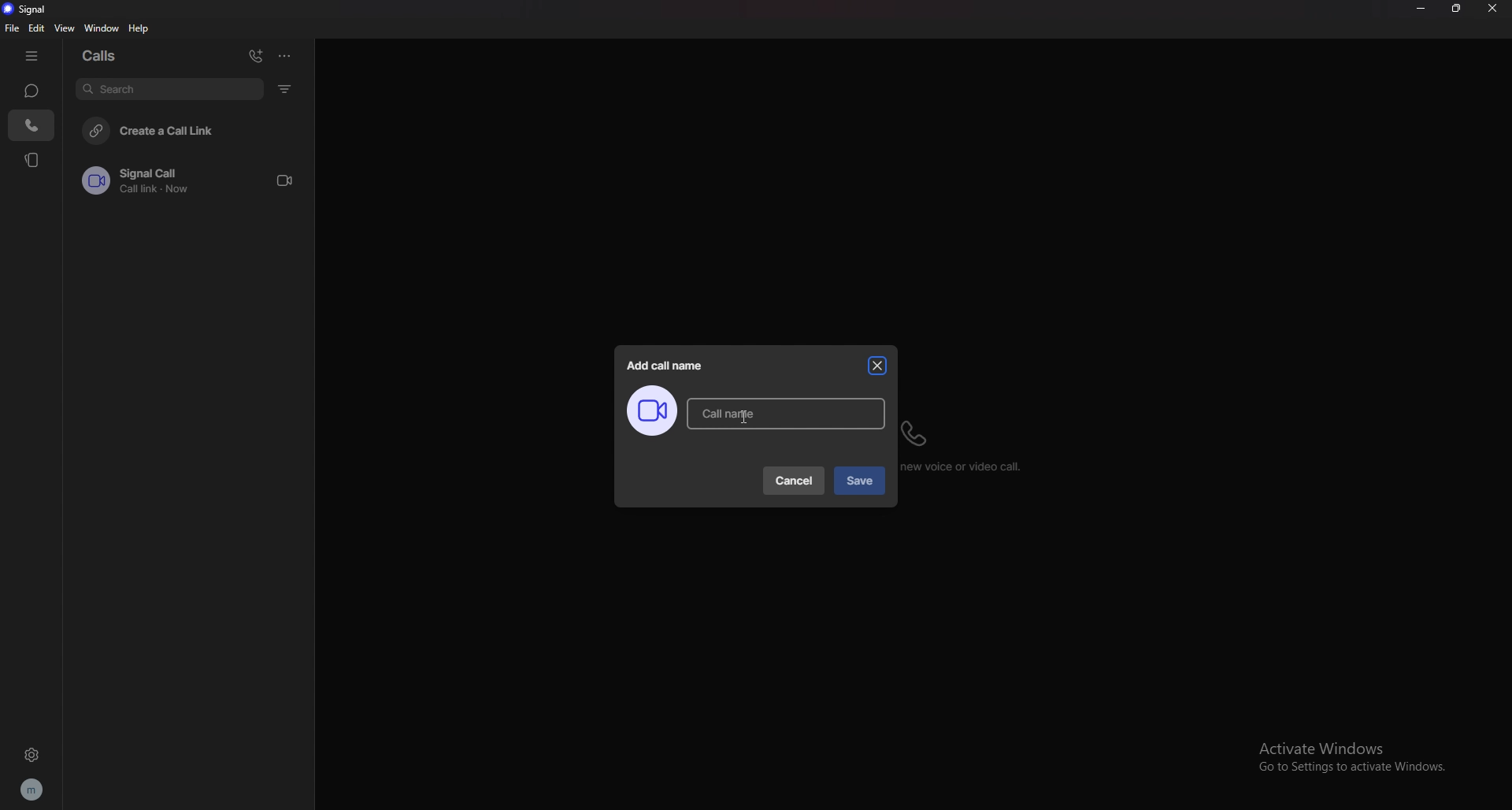  I want to click on save, so click(858, 481).